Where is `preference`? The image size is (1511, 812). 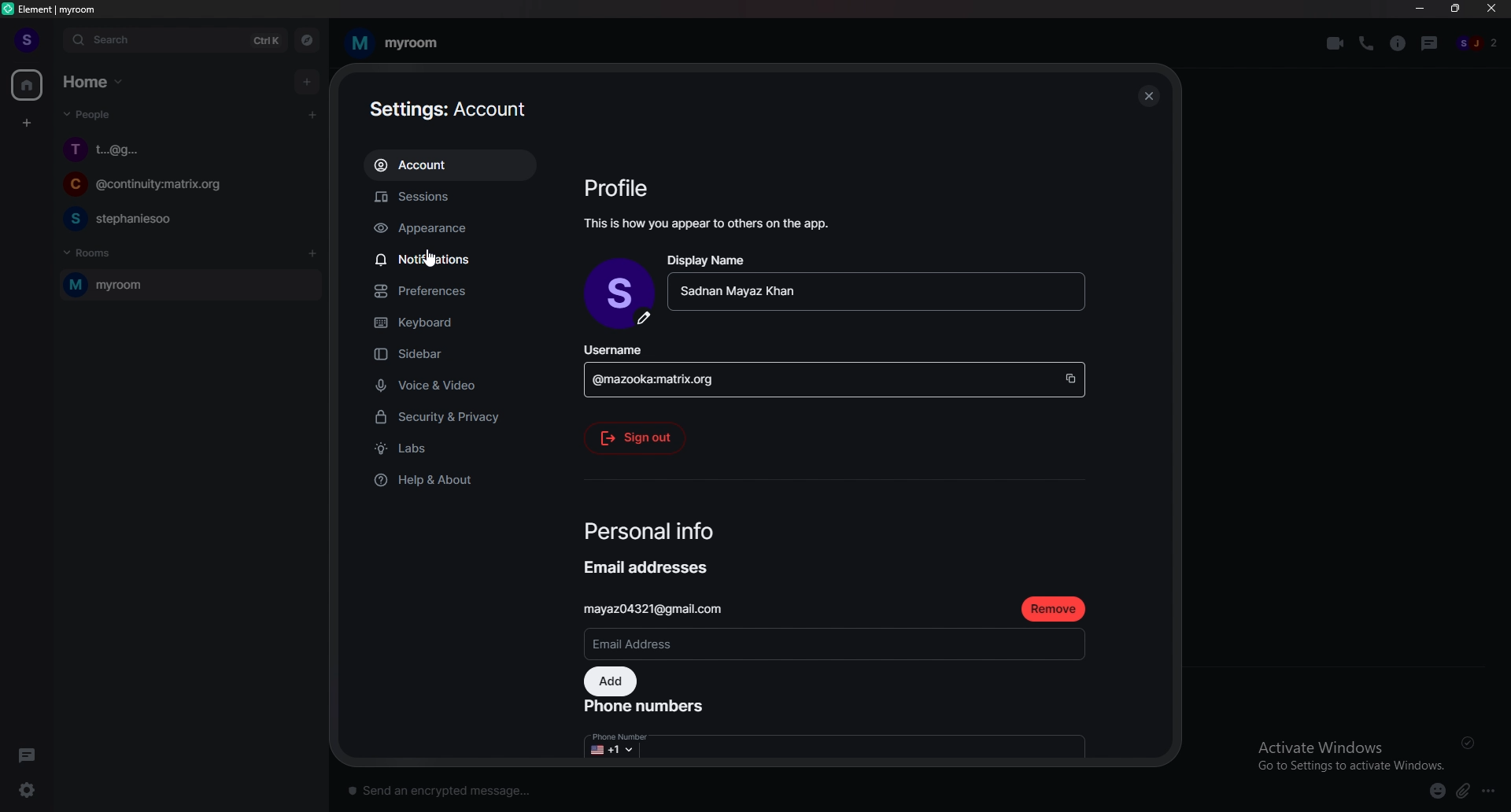
preference is located at coordinates (456, 291).